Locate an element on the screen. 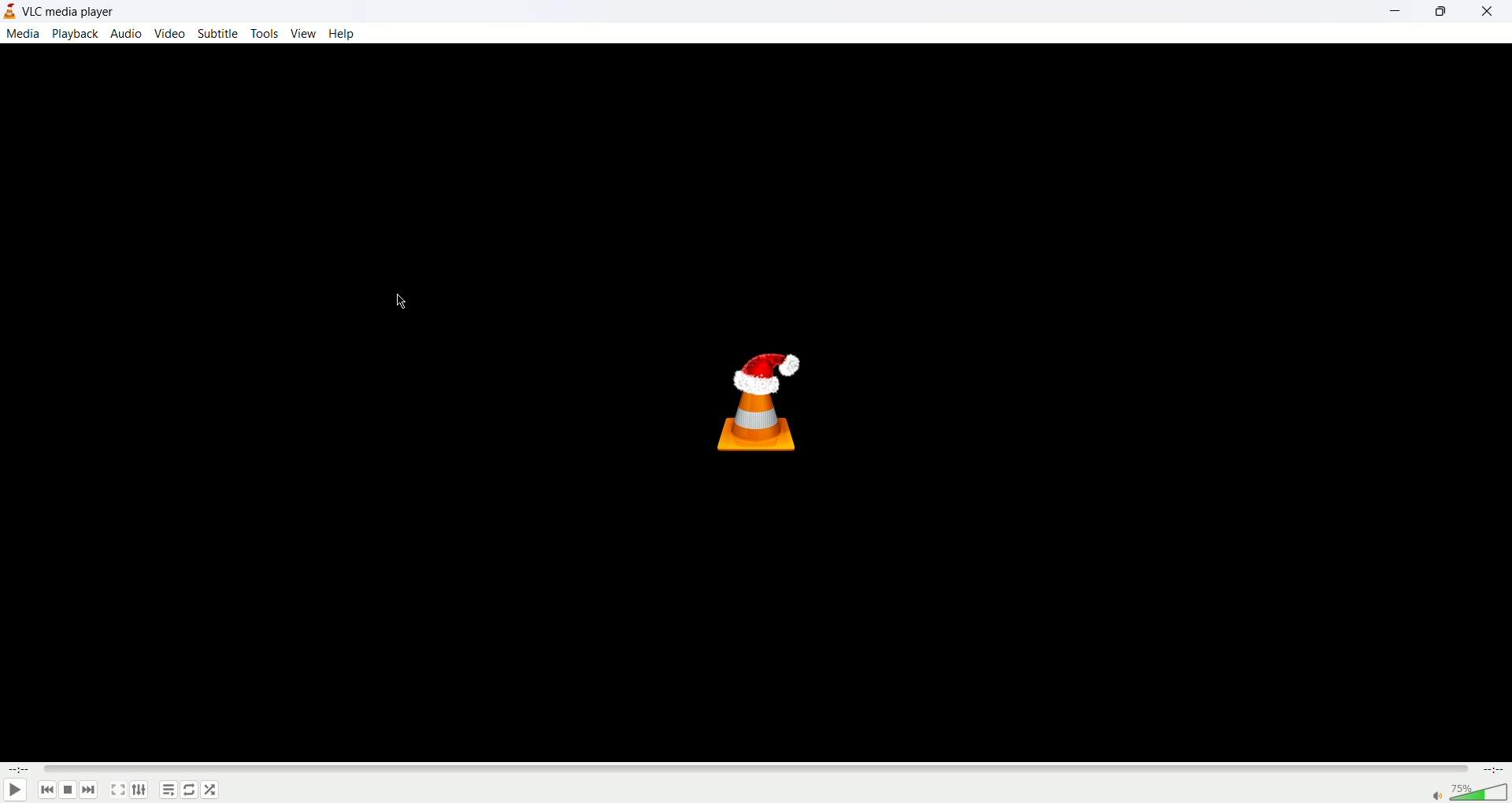 This screenshot has height=803, width=1512. tools is located at coordinates (264, 33).